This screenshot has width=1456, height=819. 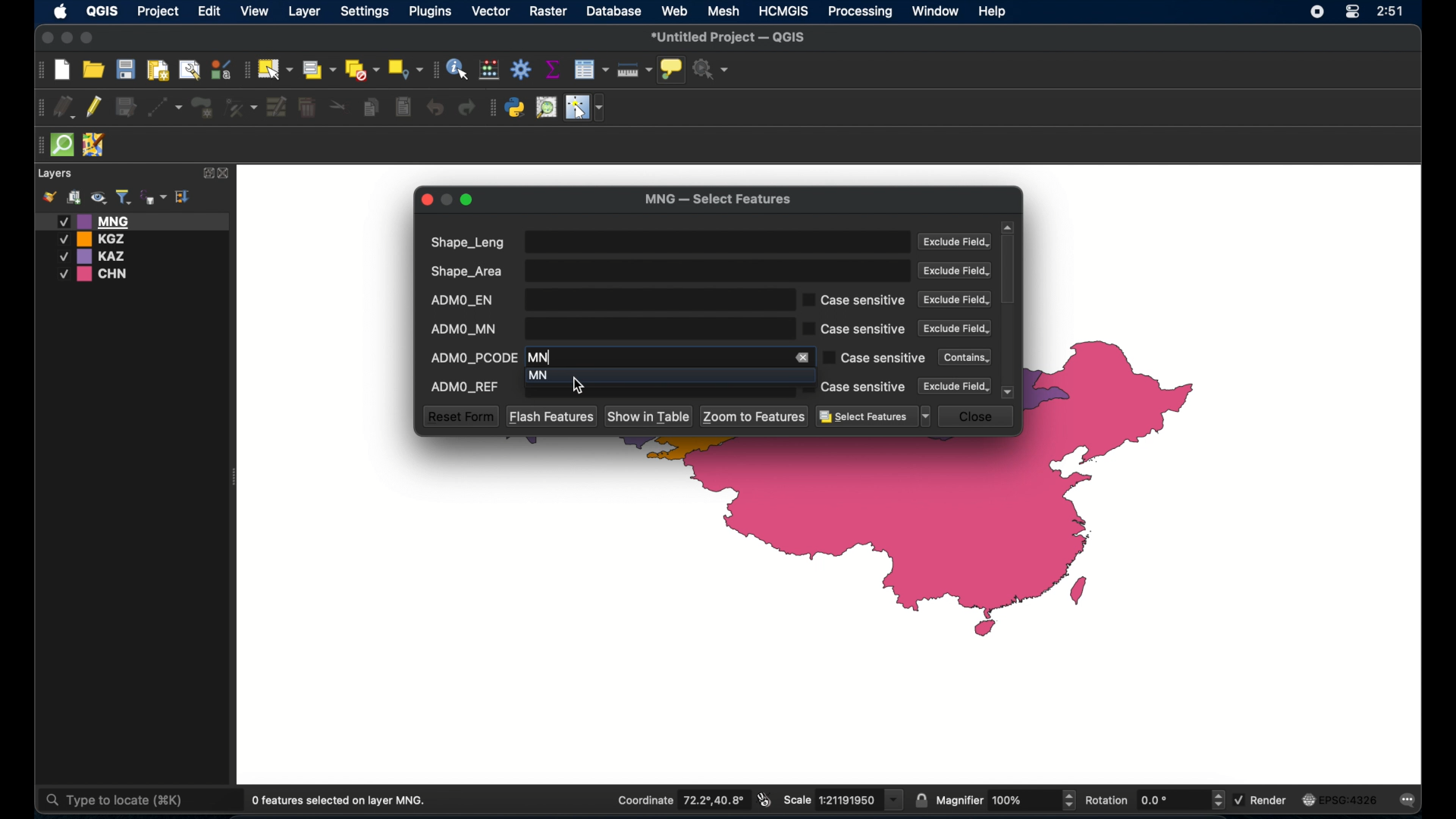 What do you see at coordinates (606, 391) in the screenshot?
I see `ADMP_REF` at bounding box center [606, 391].